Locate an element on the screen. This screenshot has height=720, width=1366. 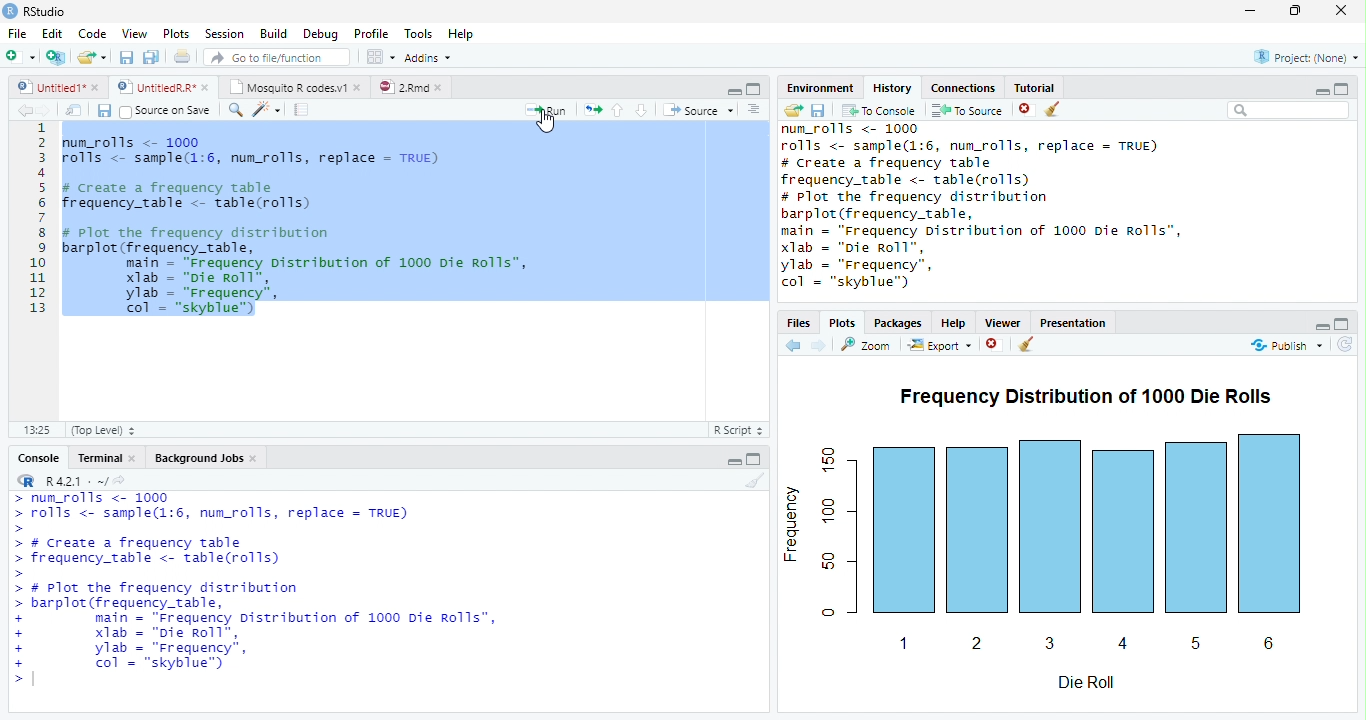
Ungitied1* is located at coordinates (57, 87).